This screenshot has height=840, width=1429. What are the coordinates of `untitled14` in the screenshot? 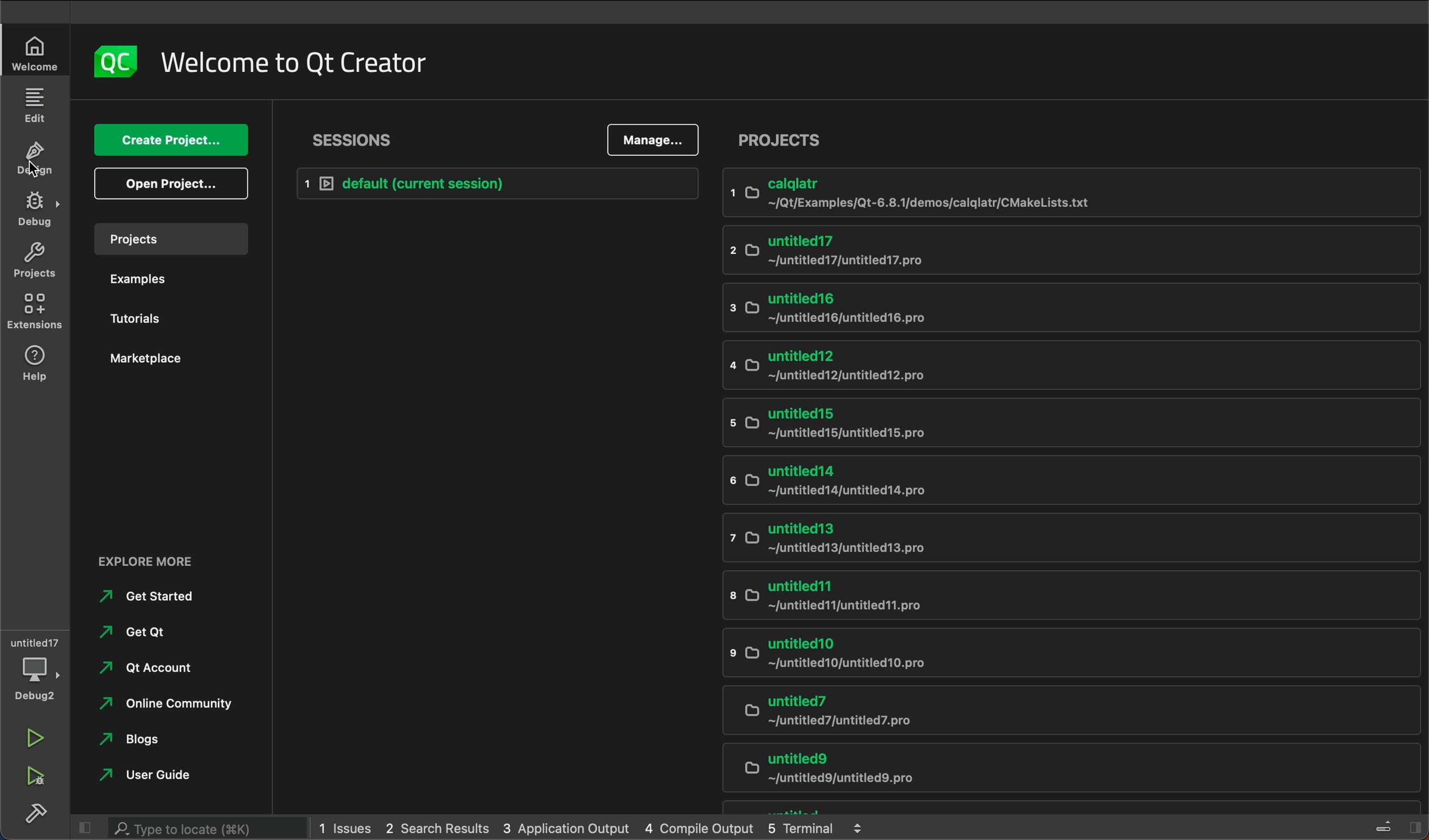 It's located at (1038, 478).